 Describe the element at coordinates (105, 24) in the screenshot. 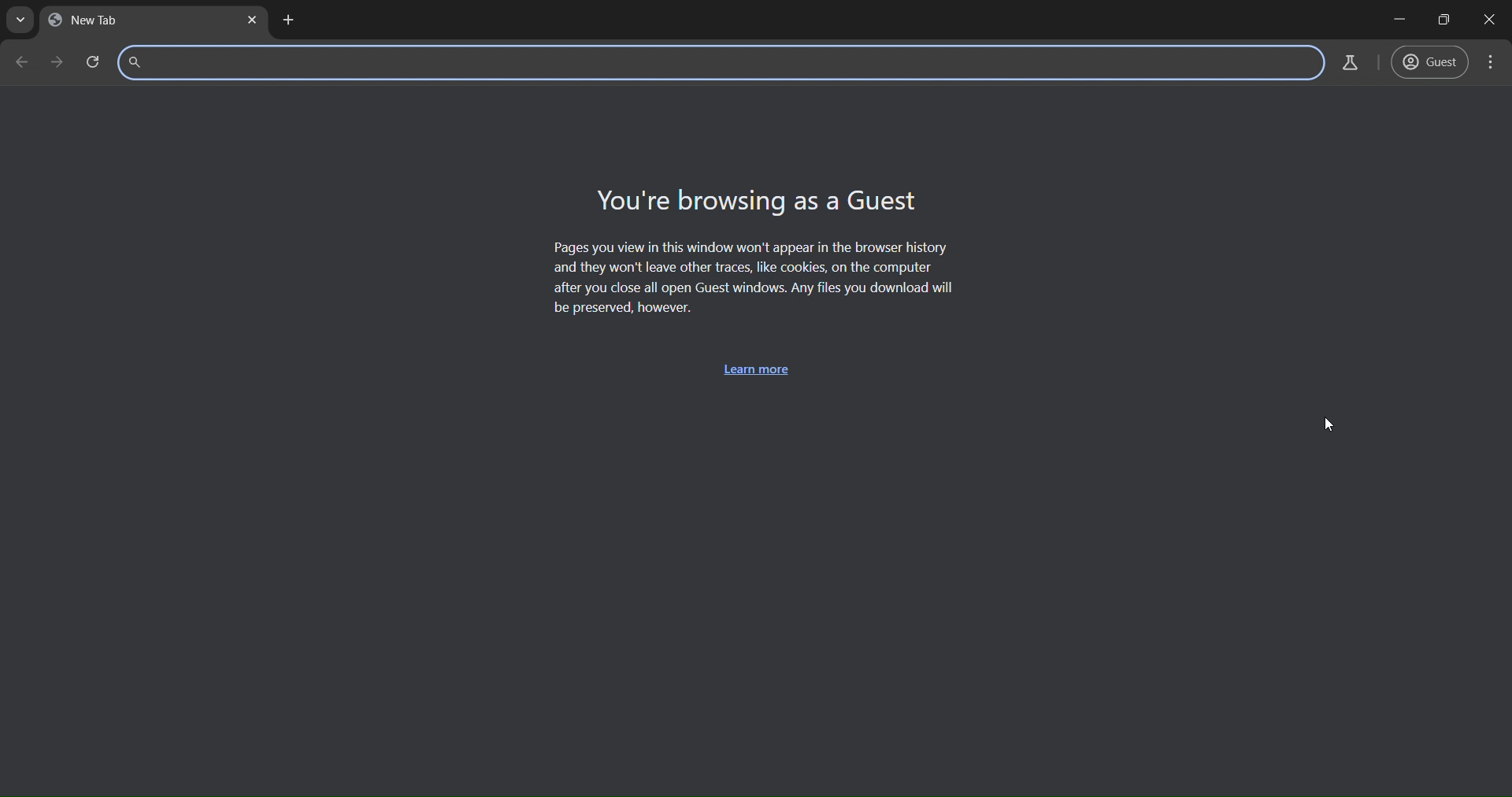

I see `current tab` at that location.